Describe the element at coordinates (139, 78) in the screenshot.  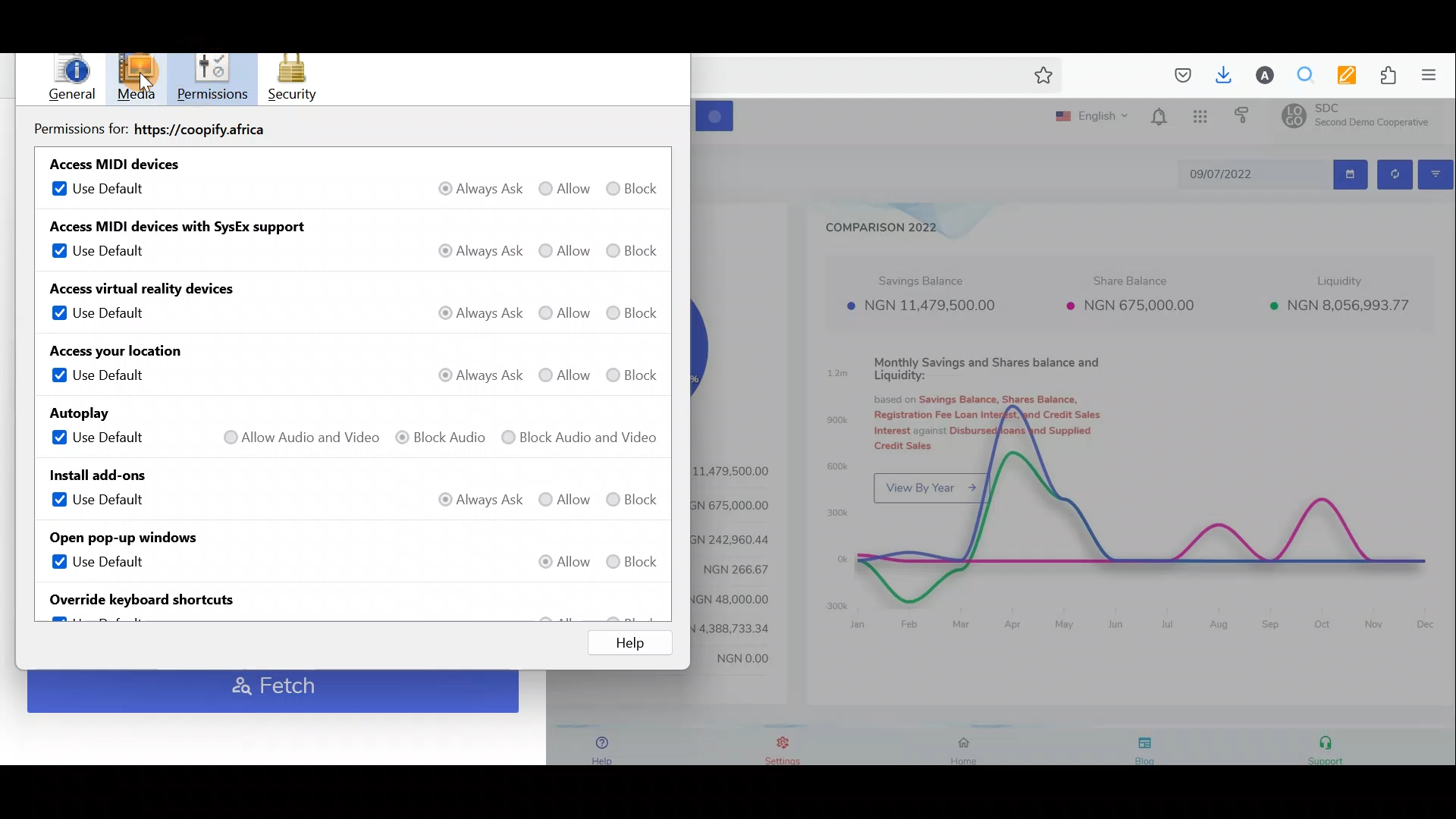
I see `Cursor` at that location.